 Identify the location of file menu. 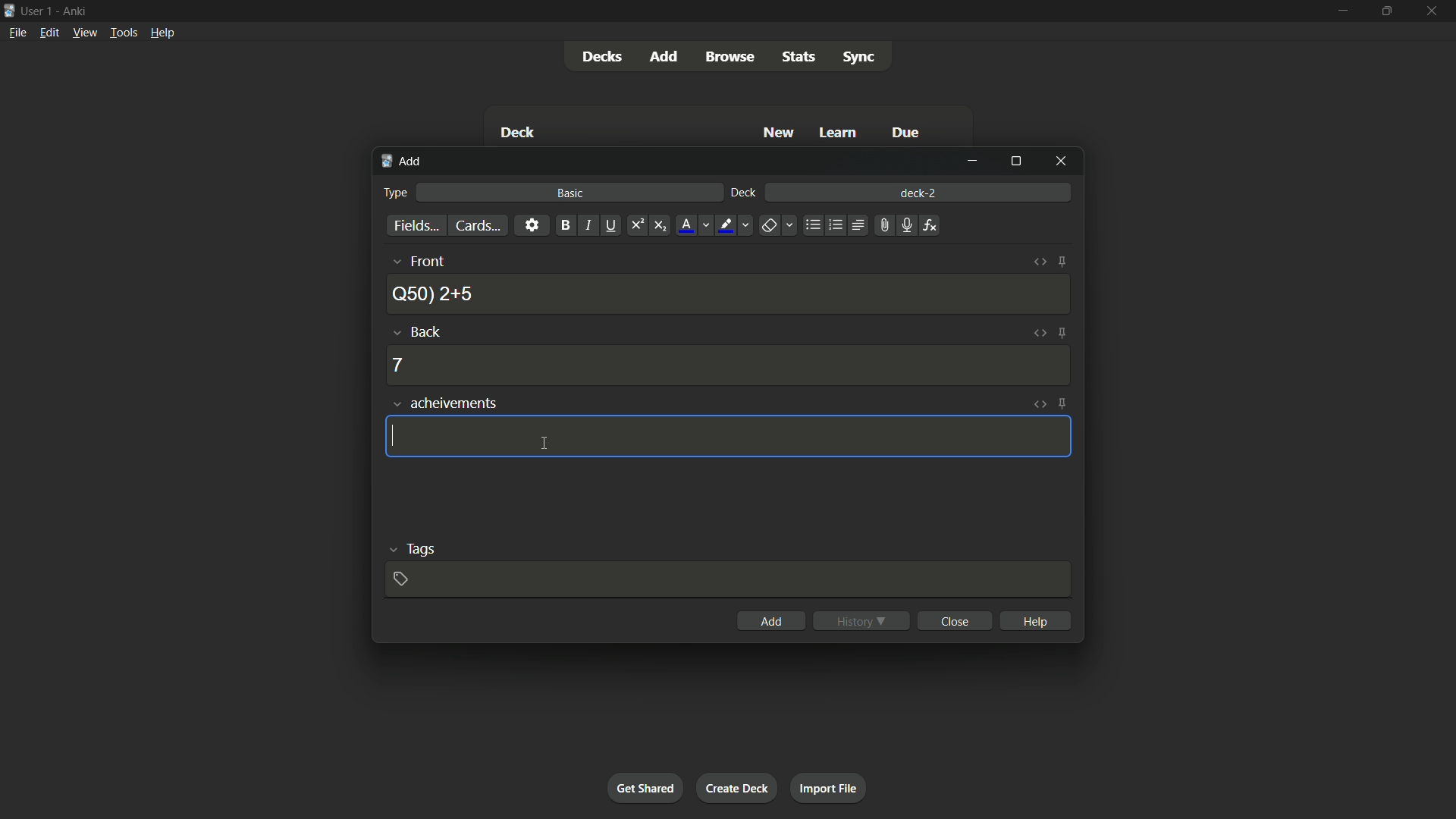
(18, 33).